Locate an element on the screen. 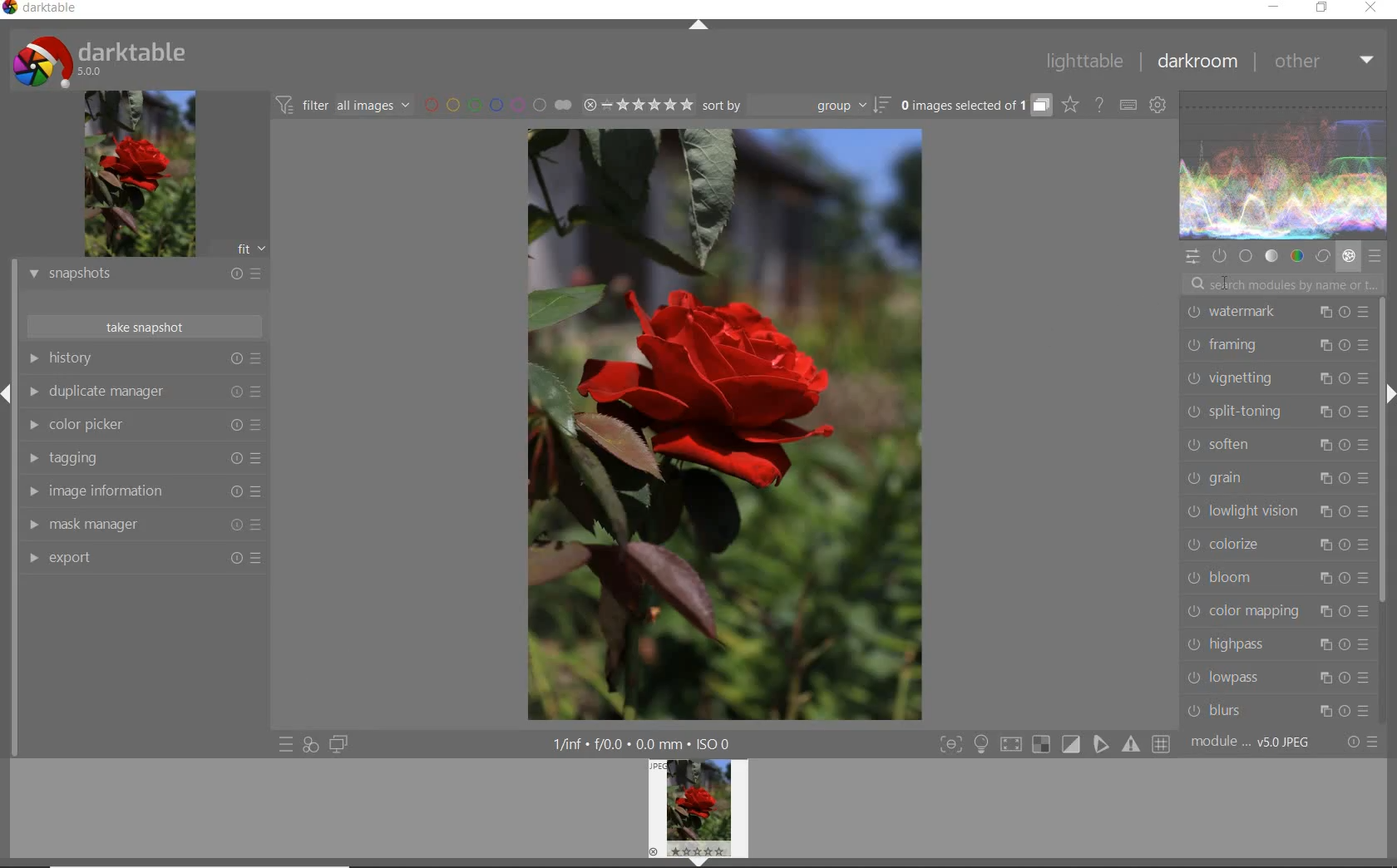 Image resolution: width=1397 pixels, height=868 pixels. quick access panel is located at coordinates (1192, 257).